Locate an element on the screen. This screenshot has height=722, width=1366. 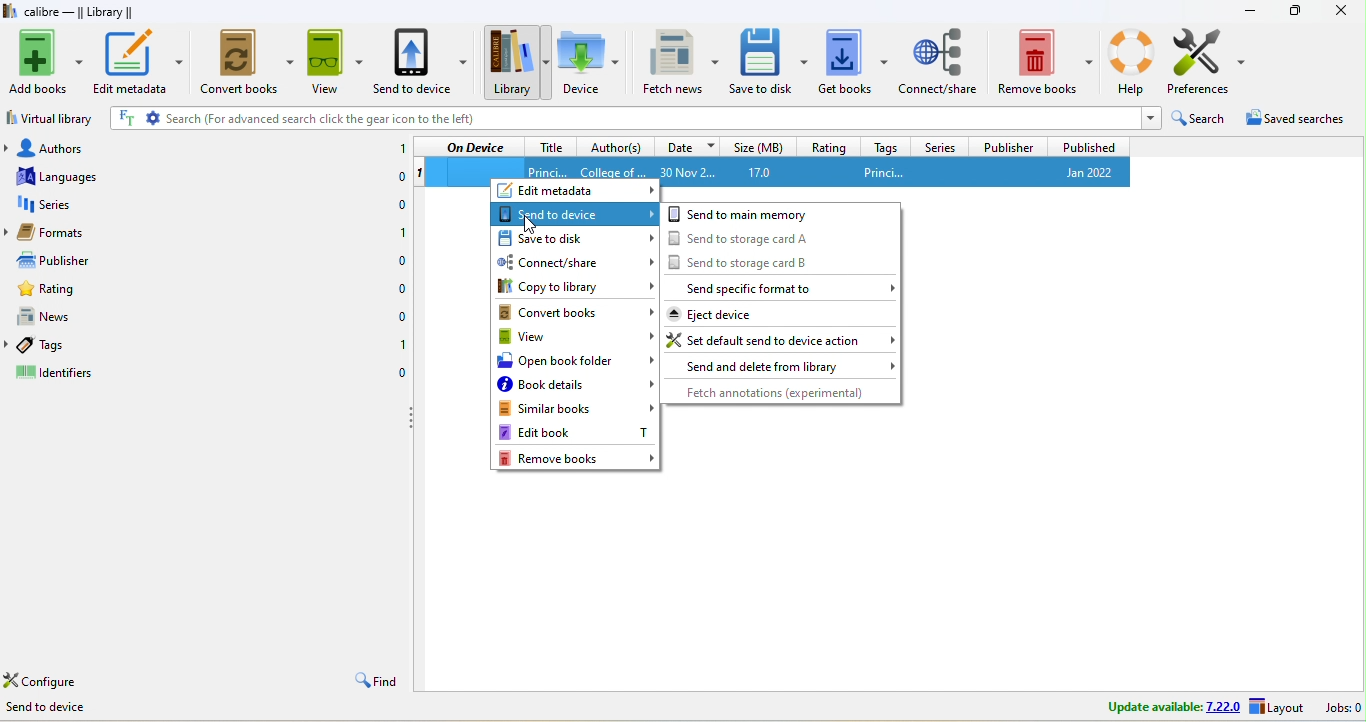
fetch news is located at coordinates (682, 60).